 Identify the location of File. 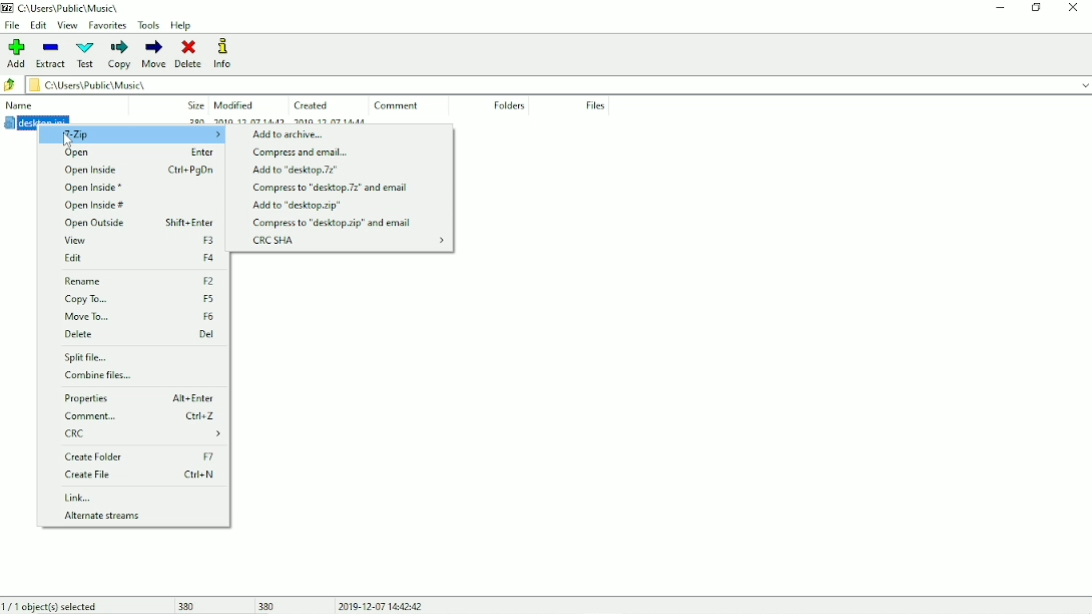
(14, 26).